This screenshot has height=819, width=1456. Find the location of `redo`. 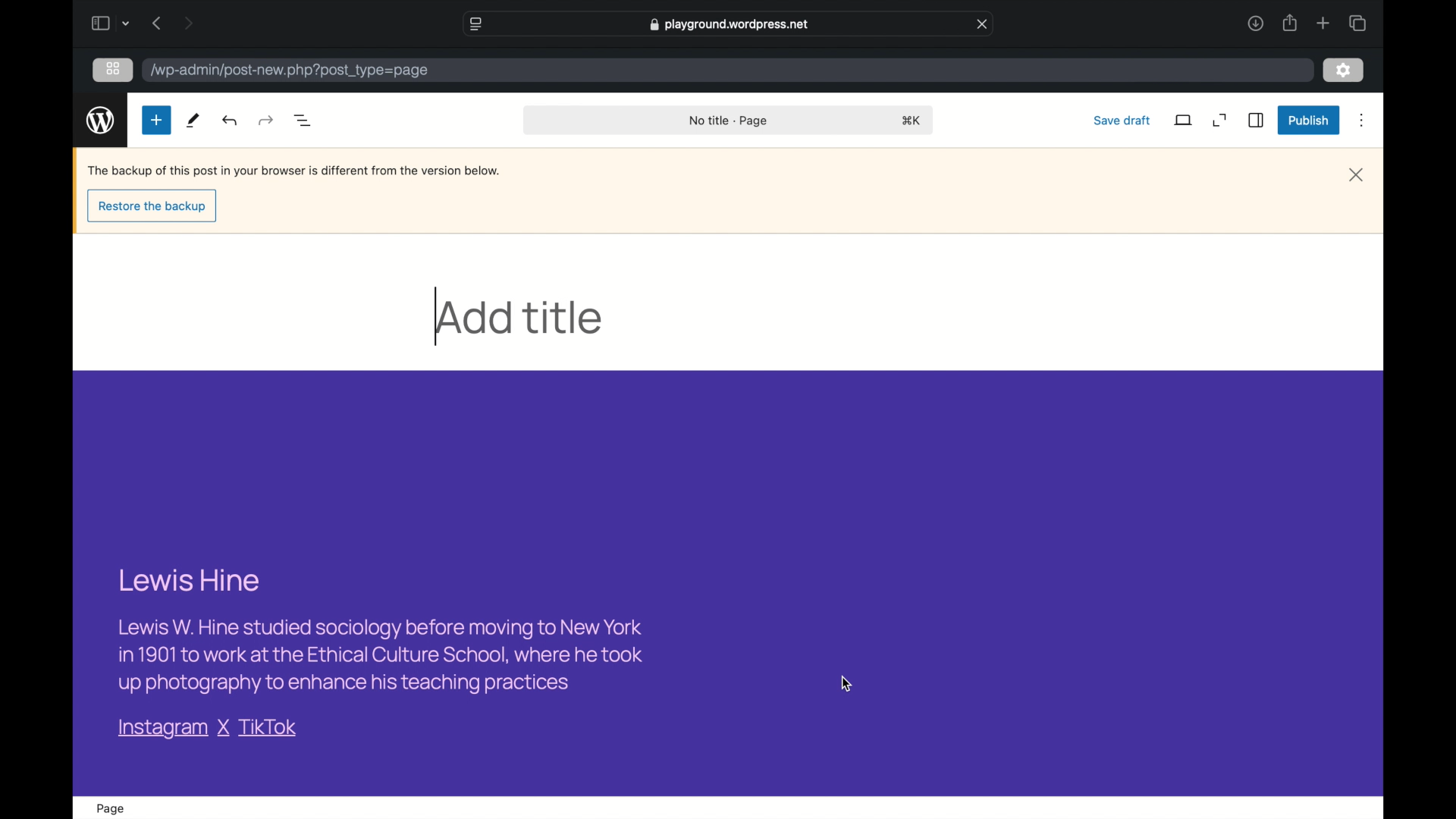

redo is located at coordinates (231, 120).